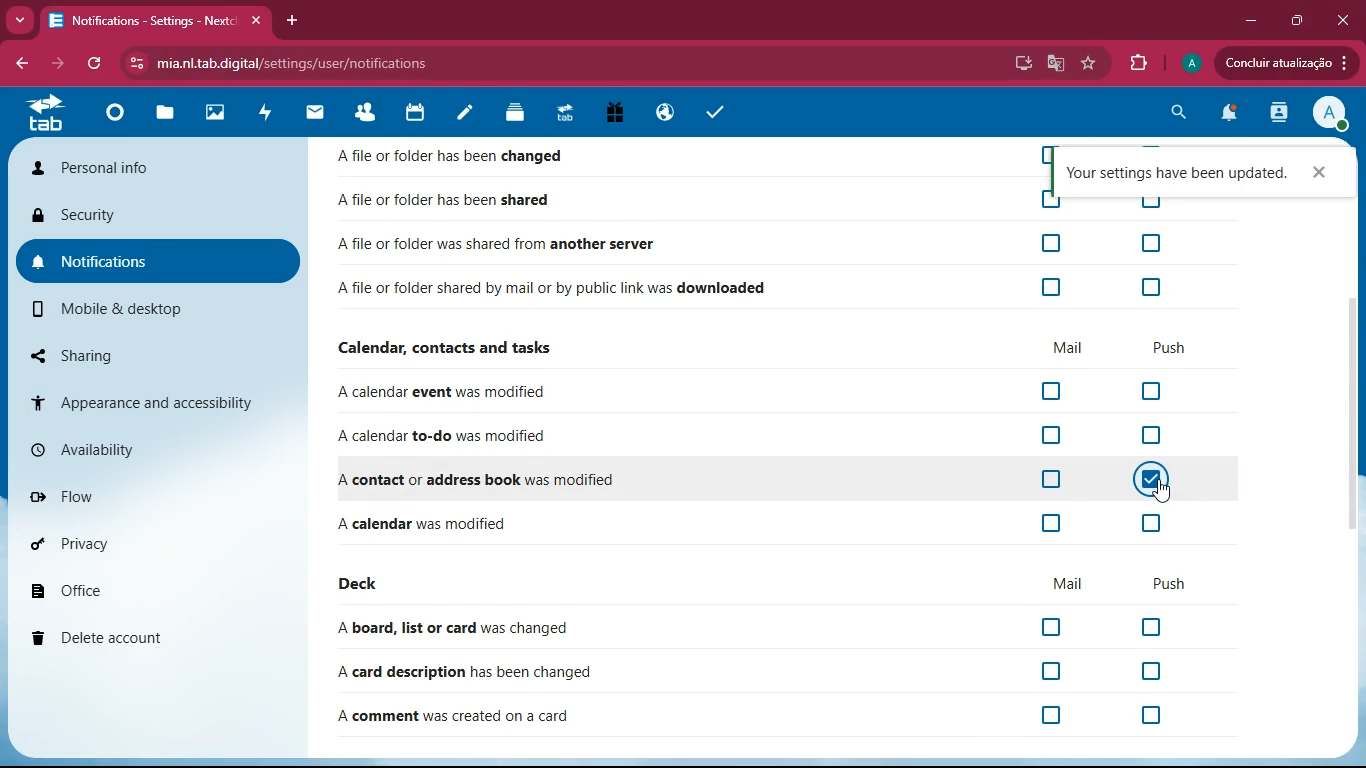  Describe the element at coordinates (1154, 244) in the screenshot. I see `off` at that location.